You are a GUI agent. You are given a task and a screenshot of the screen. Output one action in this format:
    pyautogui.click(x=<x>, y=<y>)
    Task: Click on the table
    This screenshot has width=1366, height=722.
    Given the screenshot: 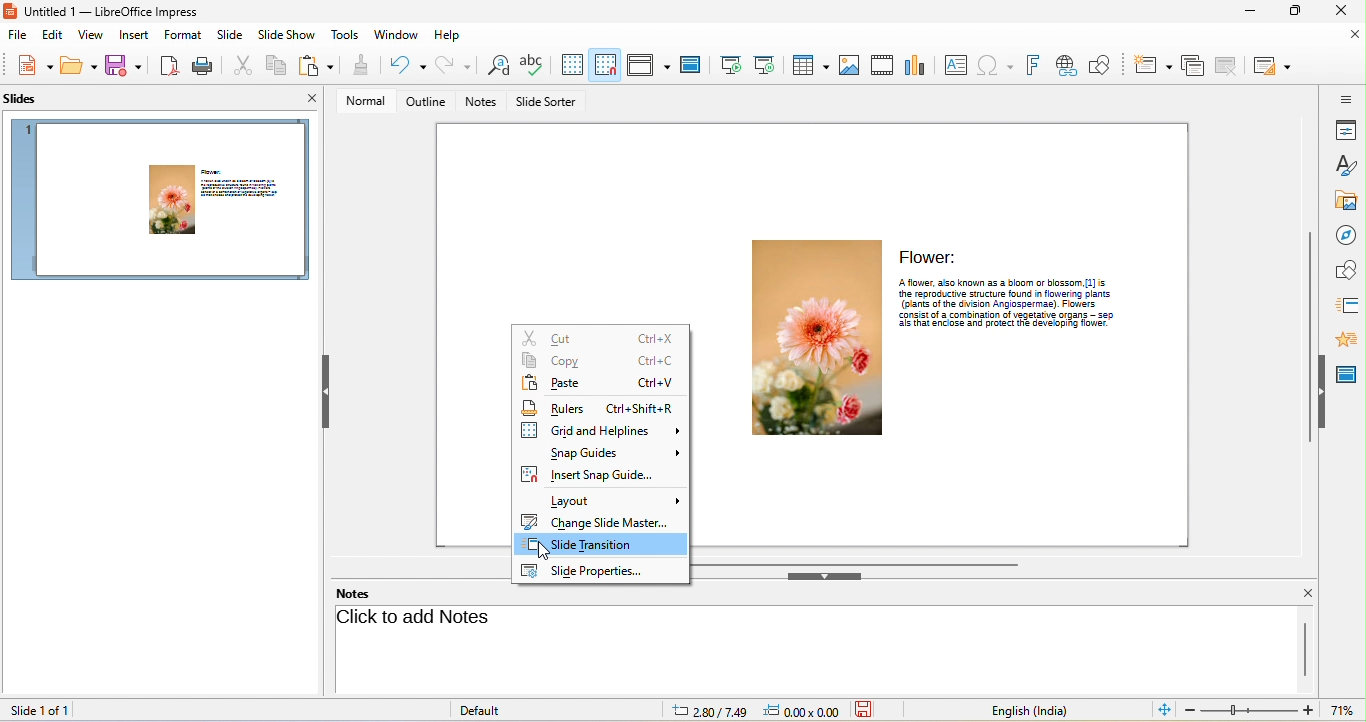 What is the action you would take?
    pyautogui.click(x=807, y=65)
    